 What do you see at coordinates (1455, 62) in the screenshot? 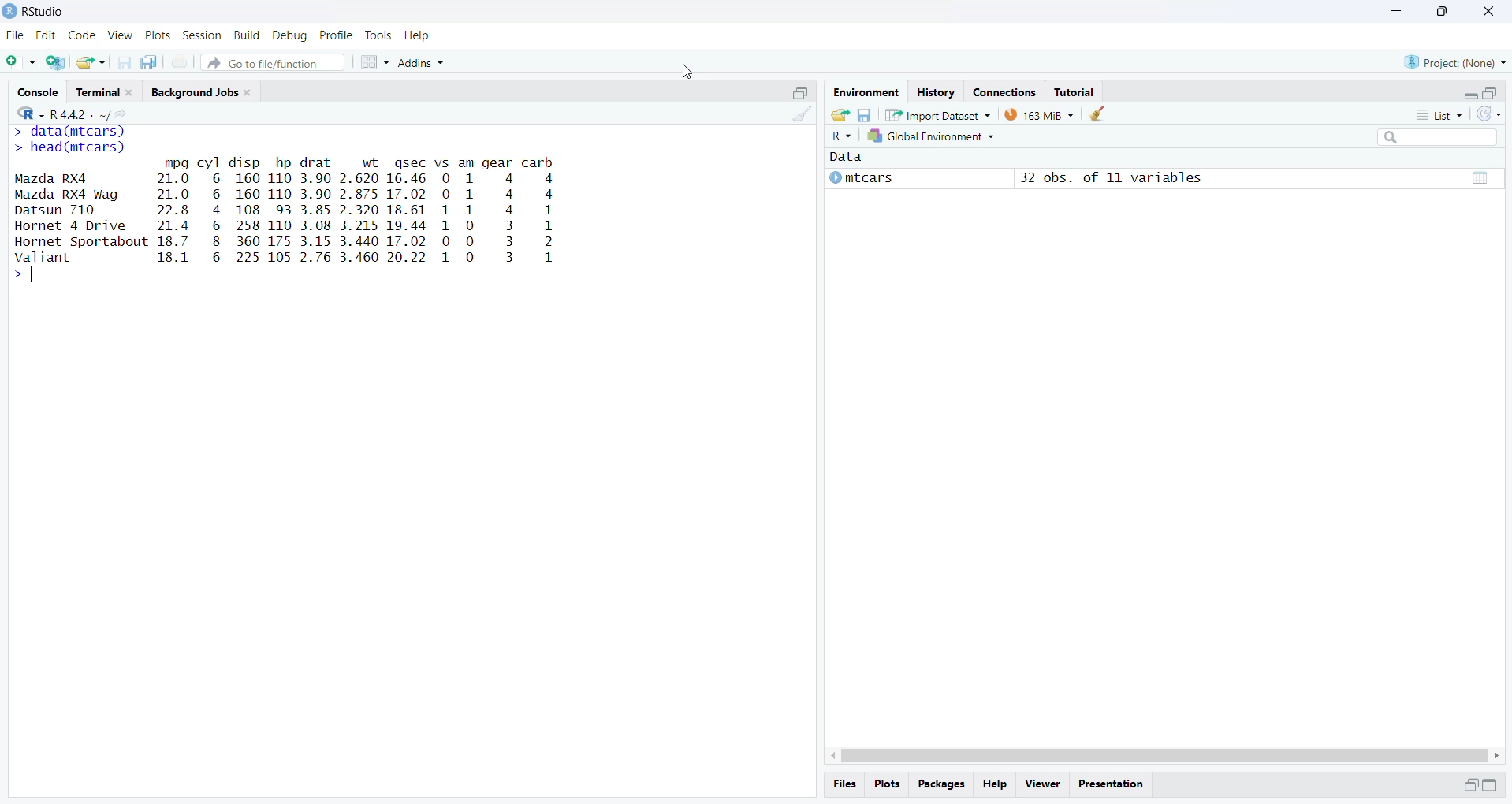
I see `Project: (None)` at bounding box center [1455, 62].